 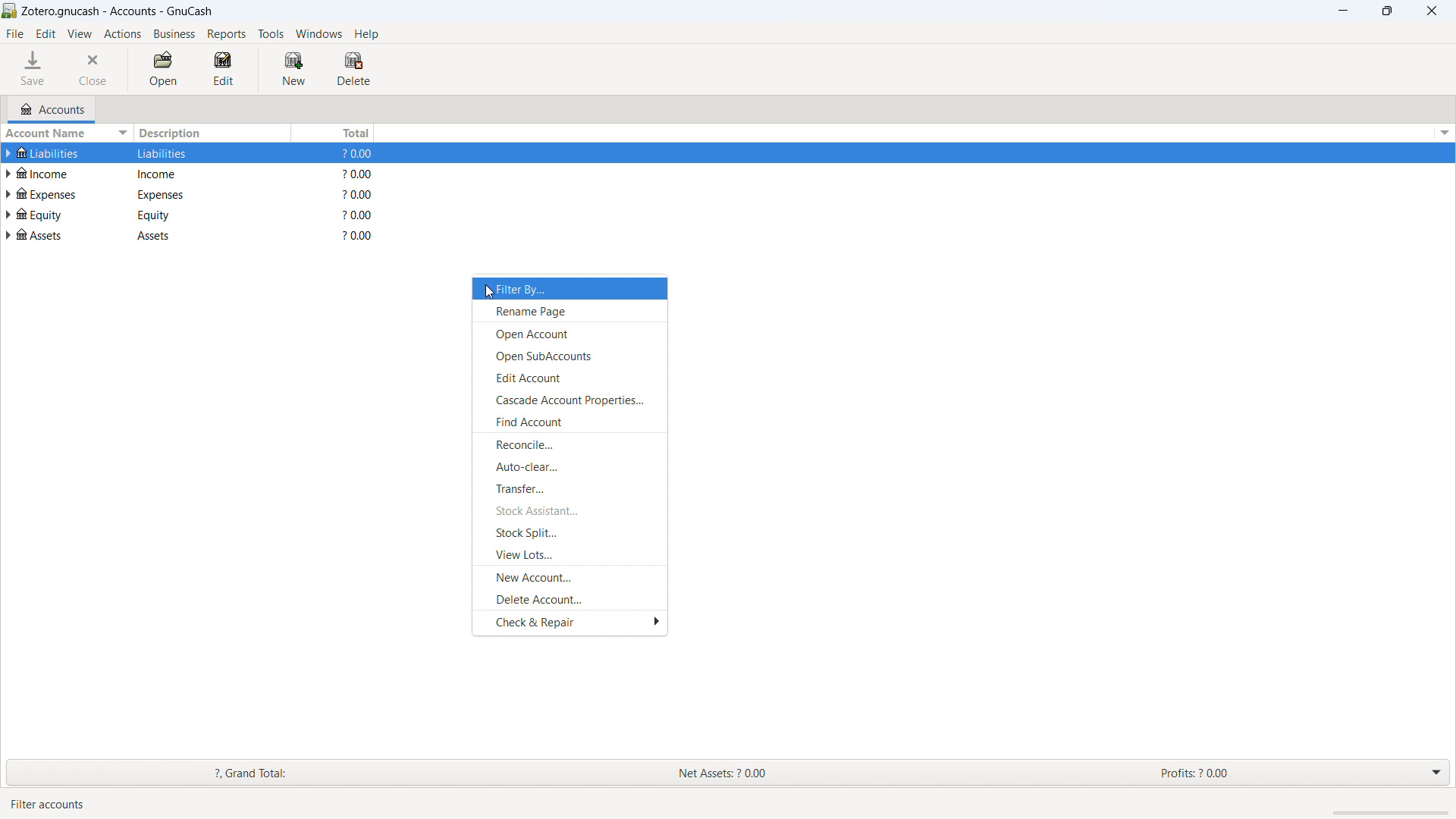 I want to click on Assets, so click(x=47, y=237).